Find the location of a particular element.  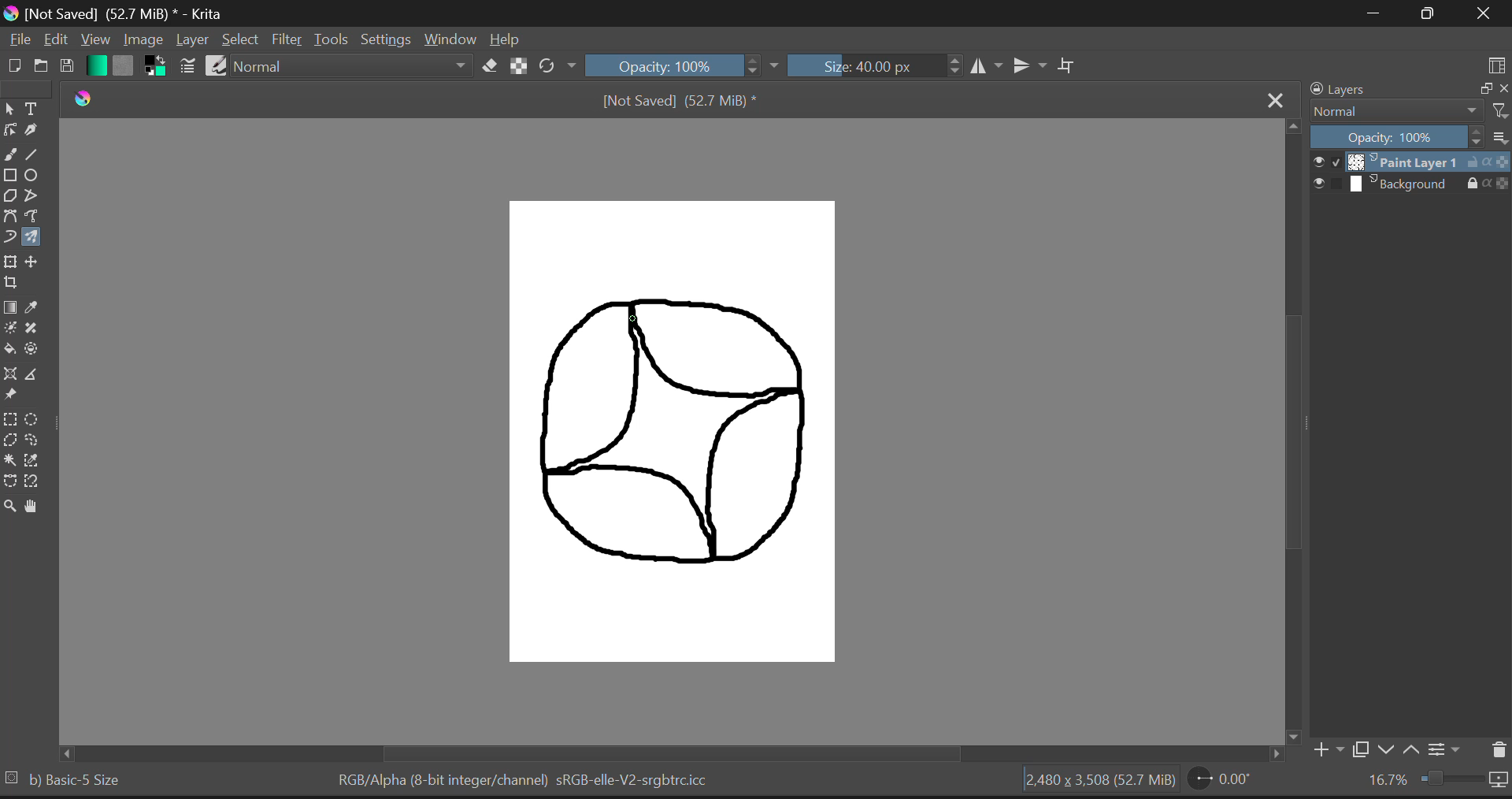

[Not Saved] (52.7 MiB) * is located at coordinates (691, 102).